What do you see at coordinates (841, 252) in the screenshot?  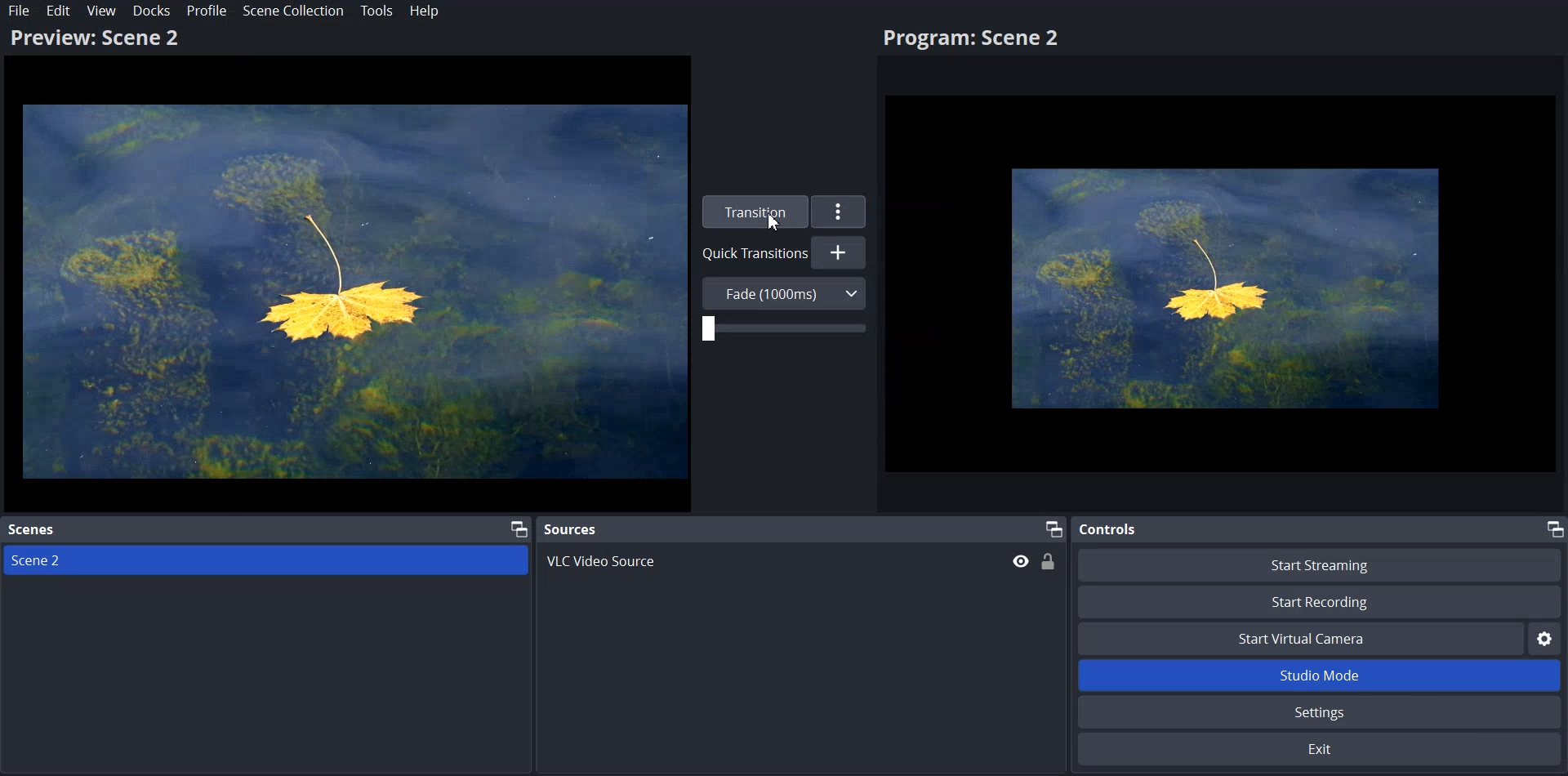 I see `Add ` at bounding box center [841, 252].